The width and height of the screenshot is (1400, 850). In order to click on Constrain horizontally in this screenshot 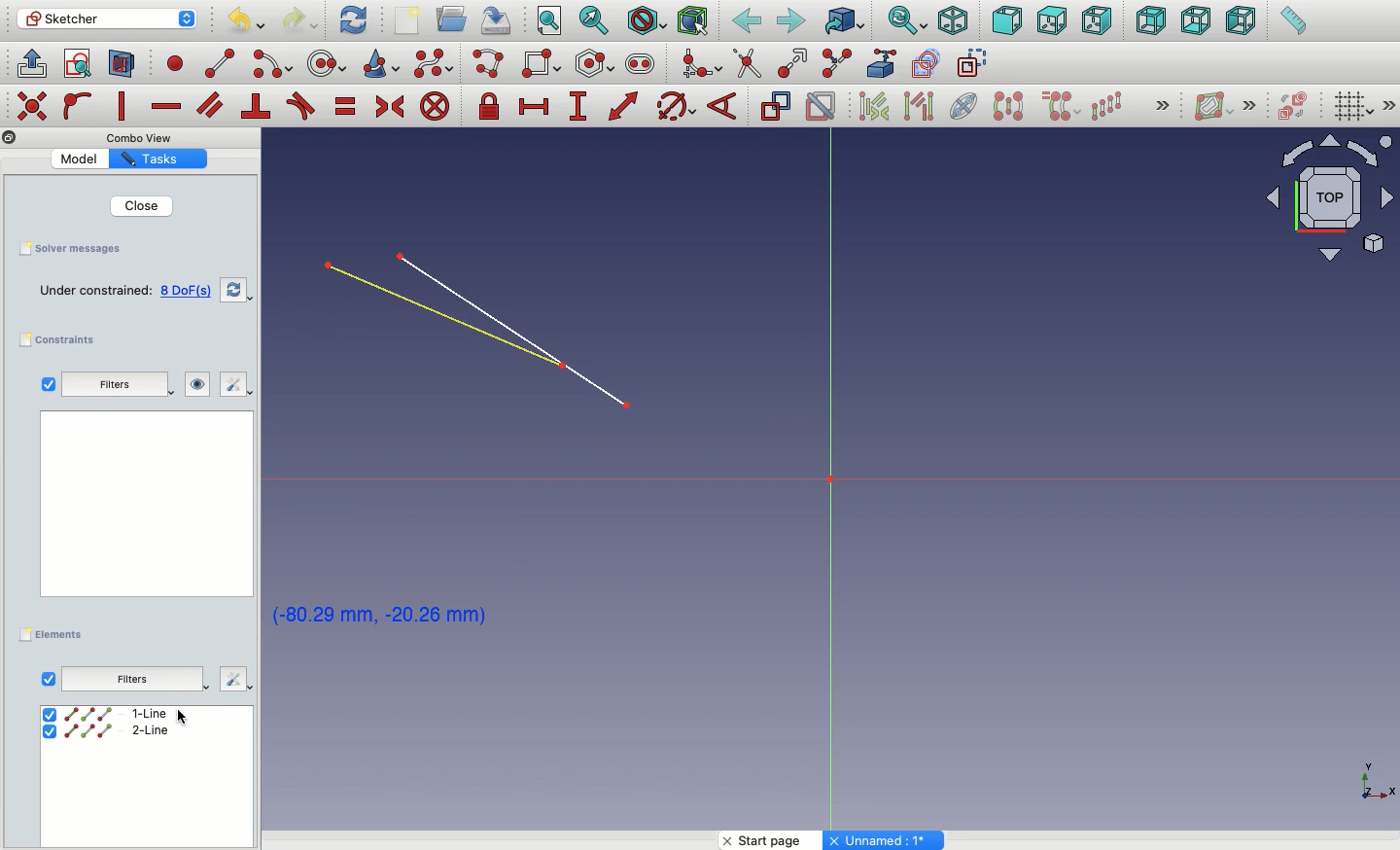, I will do `click(165, 108)`.